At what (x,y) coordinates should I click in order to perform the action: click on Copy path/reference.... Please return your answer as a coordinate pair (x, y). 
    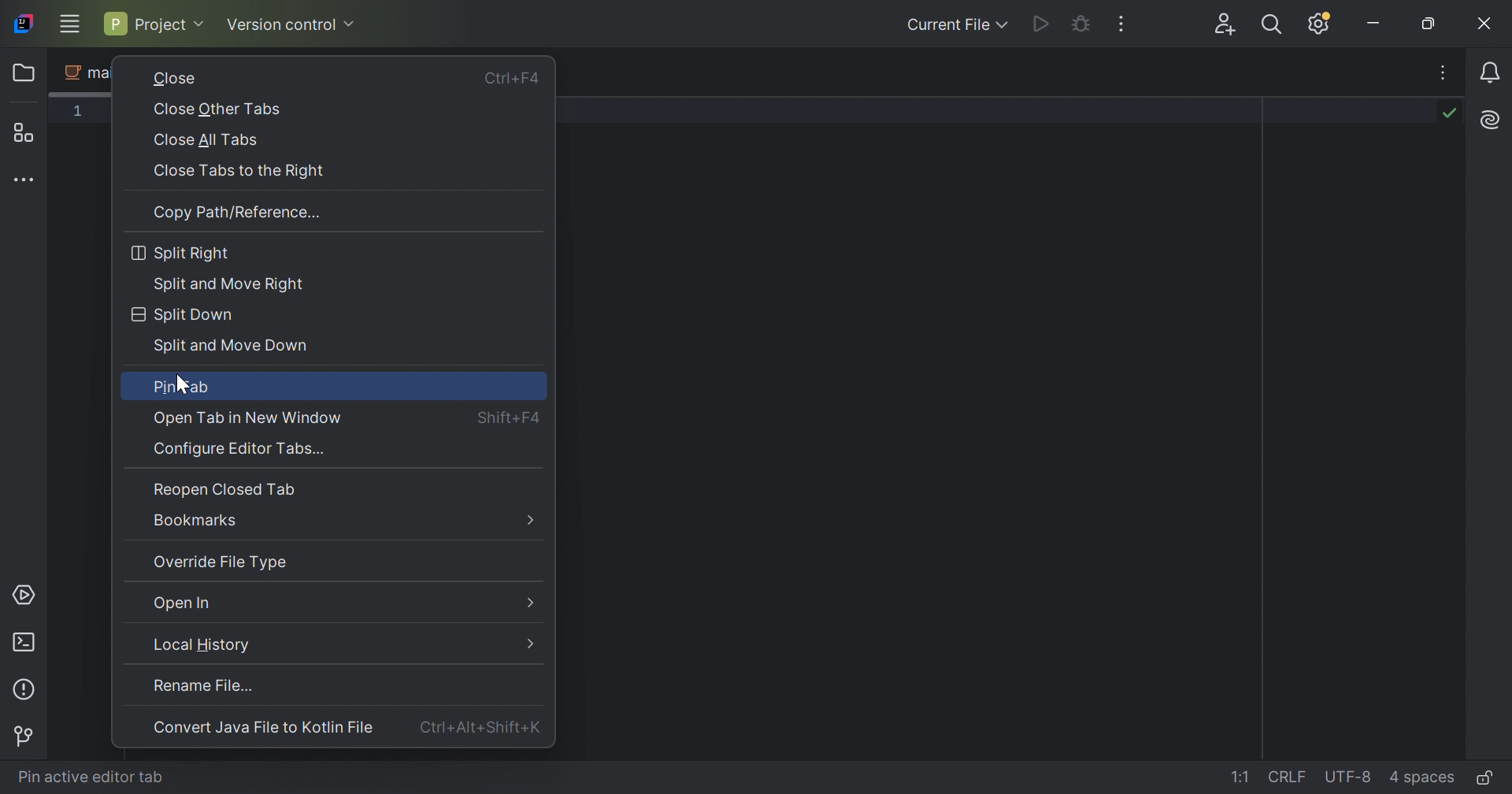
    Looking at the image, I should click on (239, 213).